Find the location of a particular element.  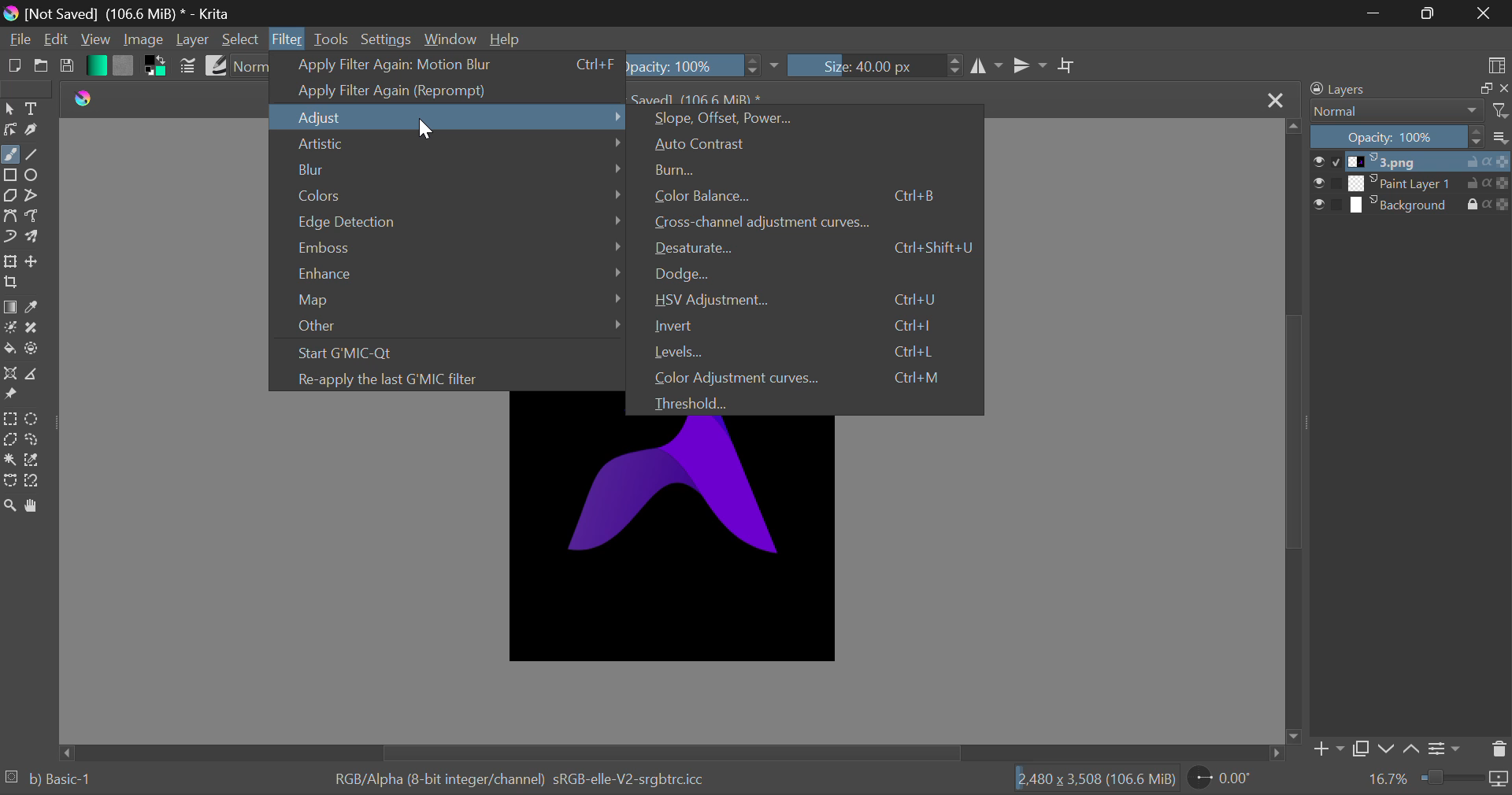

Edge Detection is located at coordinates (457, 219).